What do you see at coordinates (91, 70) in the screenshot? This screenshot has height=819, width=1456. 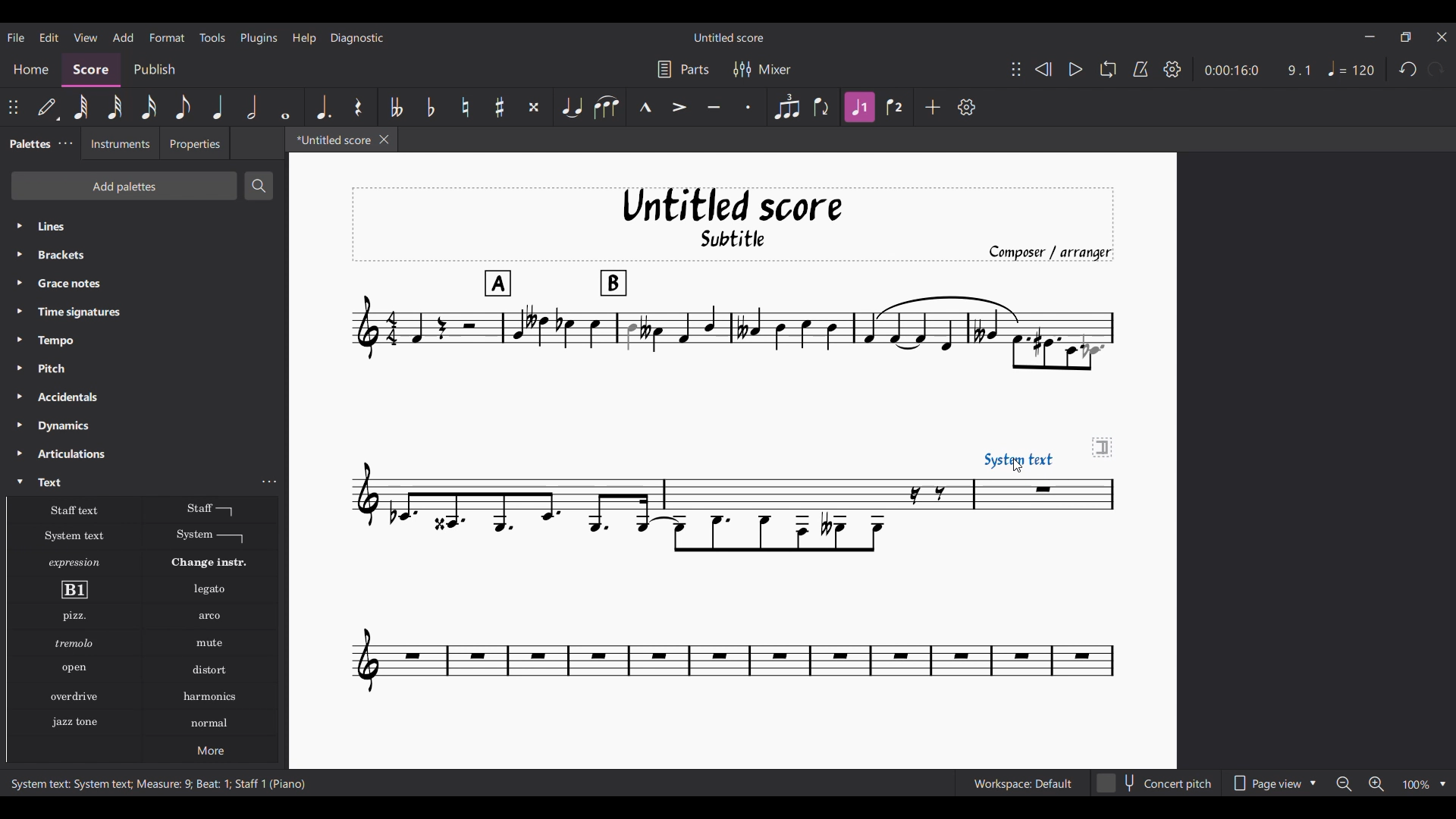 I see `Score, current section highlighted` at bounding box center [91, 70].